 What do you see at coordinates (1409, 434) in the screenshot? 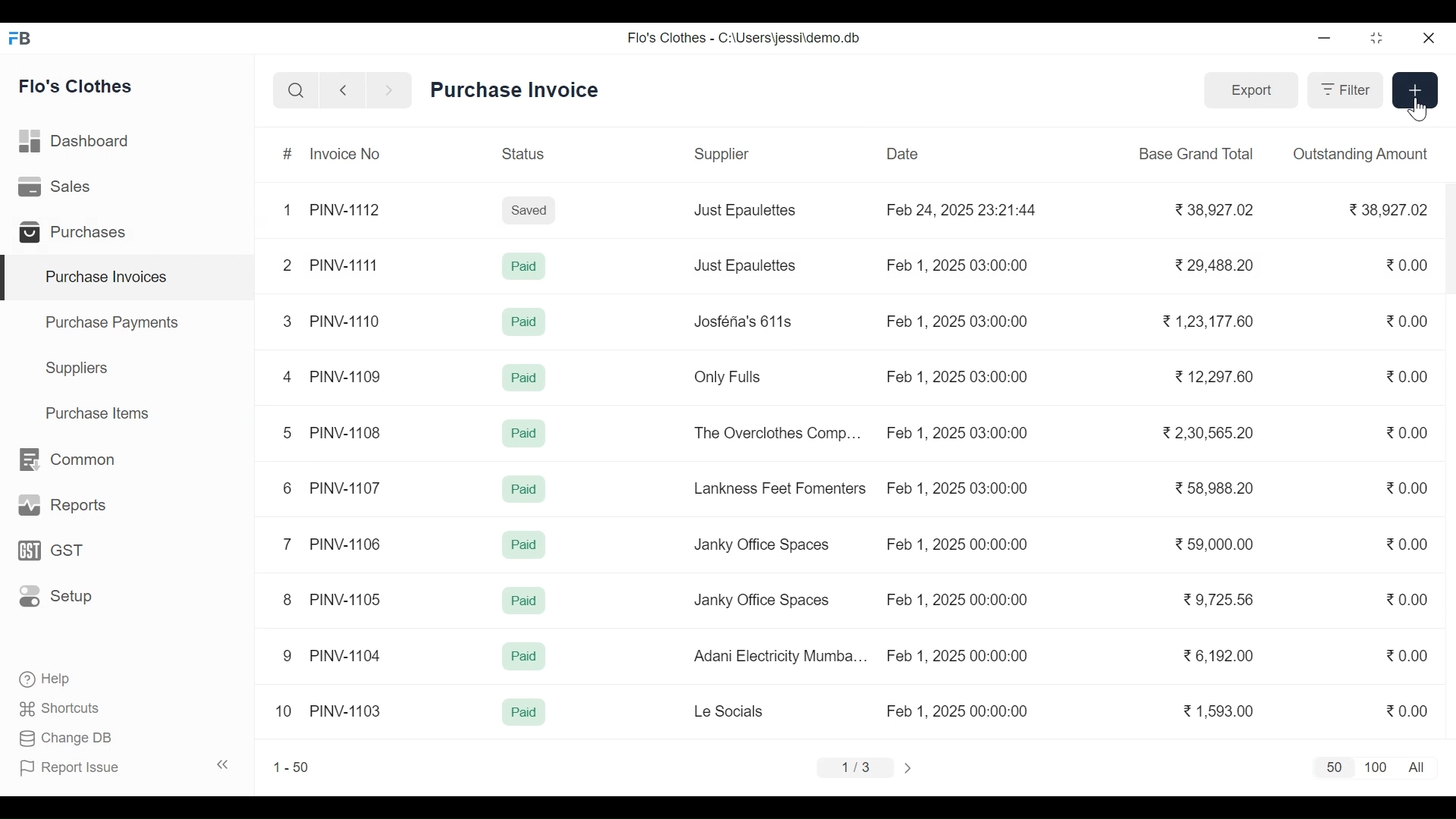
I see `0.00` at bounding box center [1409, 434].